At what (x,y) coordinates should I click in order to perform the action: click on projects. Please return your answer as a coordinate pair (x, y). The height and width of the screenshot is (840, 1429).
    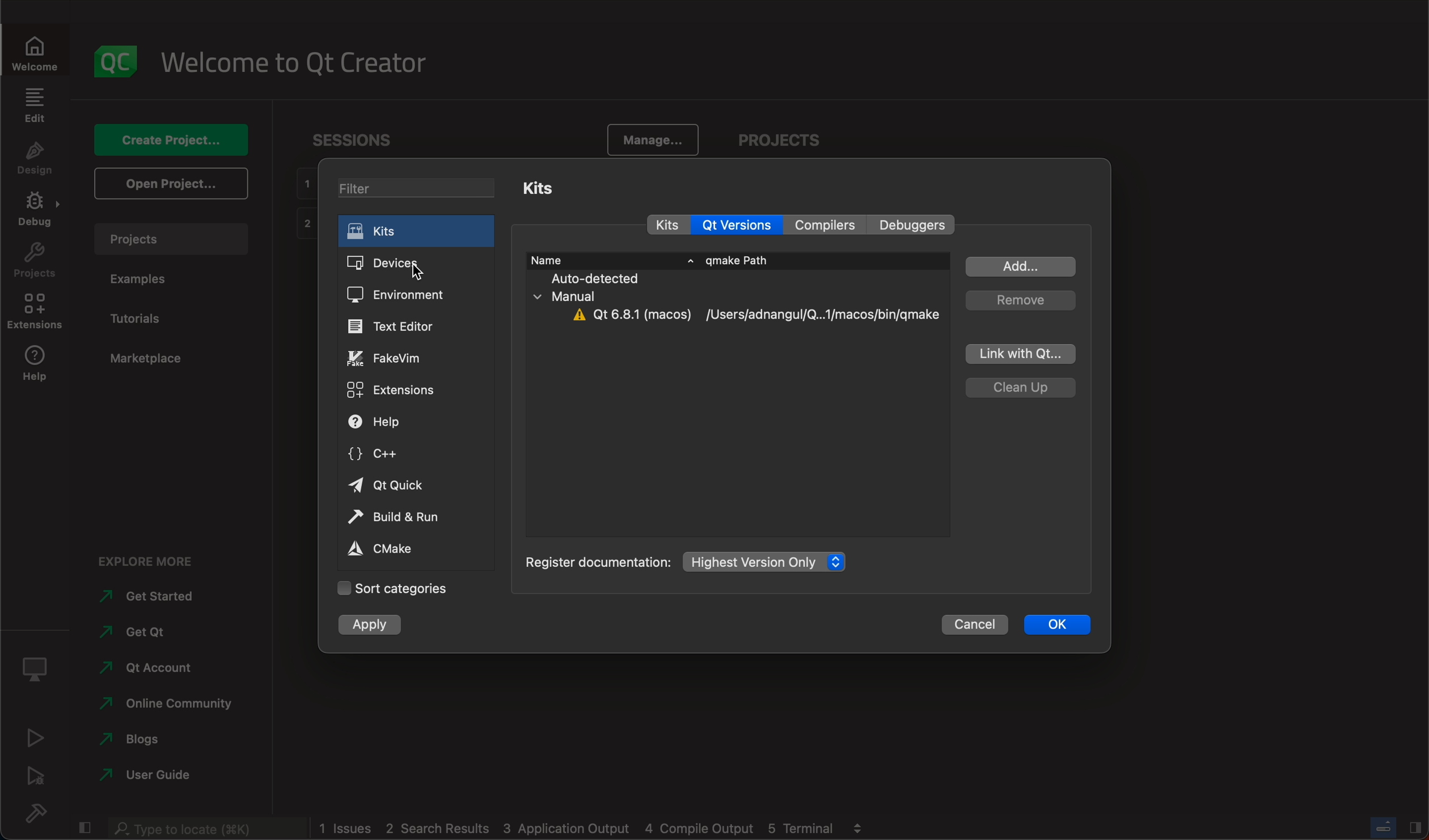
    Looking at the image, I should click on (778, 139).